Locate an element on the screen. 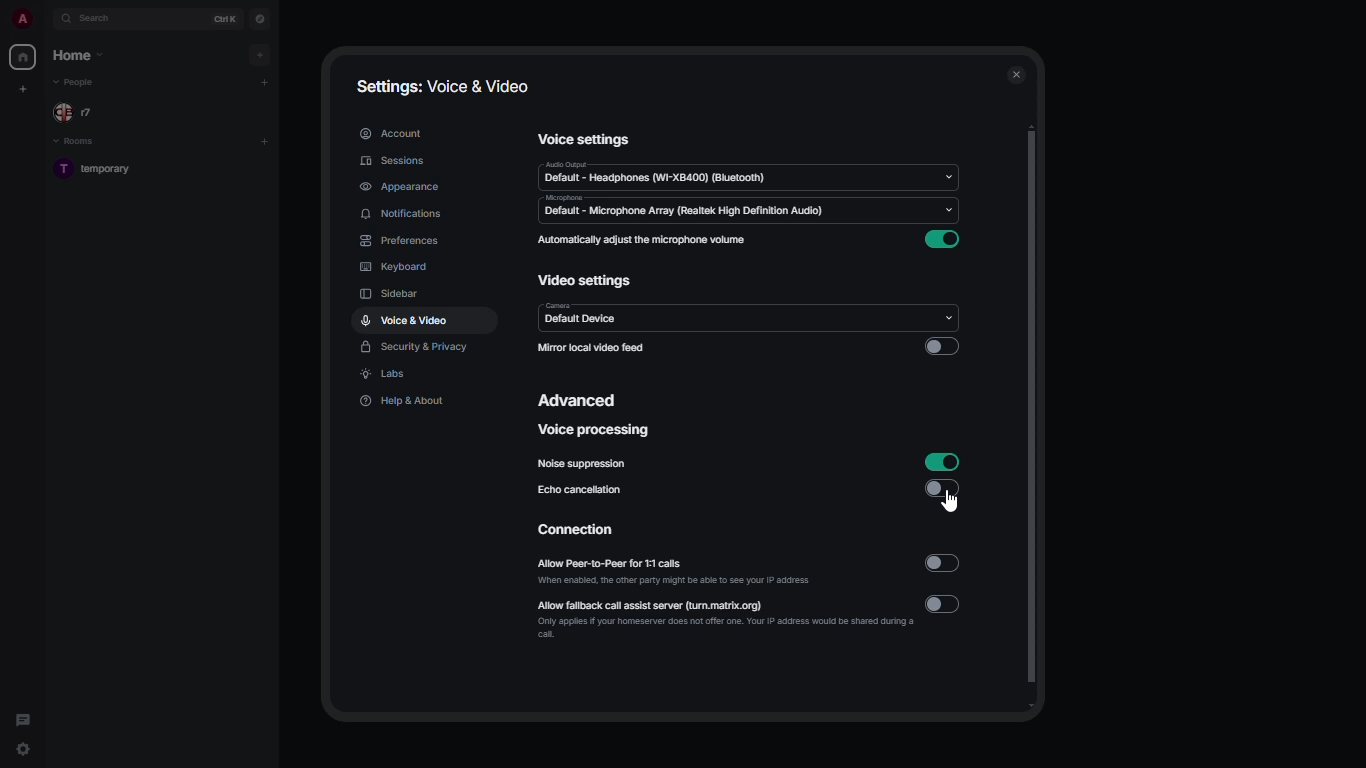 The height and width of the screenshot is (768, 1366). quick settings is located at coordinates (23, 750).